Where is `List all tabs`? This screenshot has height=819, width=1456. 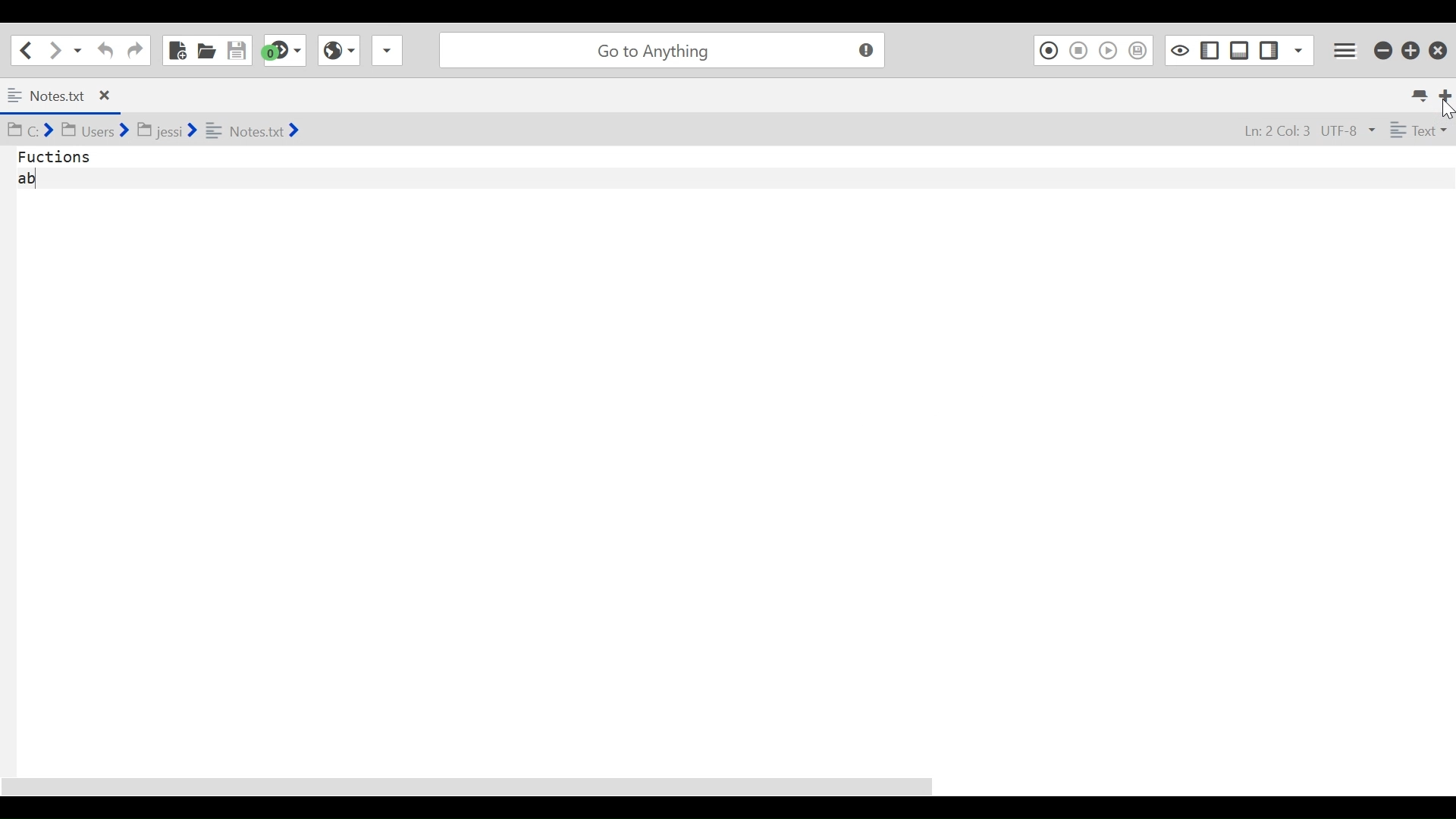 List all tabs is located at coordinates (1418, 93).